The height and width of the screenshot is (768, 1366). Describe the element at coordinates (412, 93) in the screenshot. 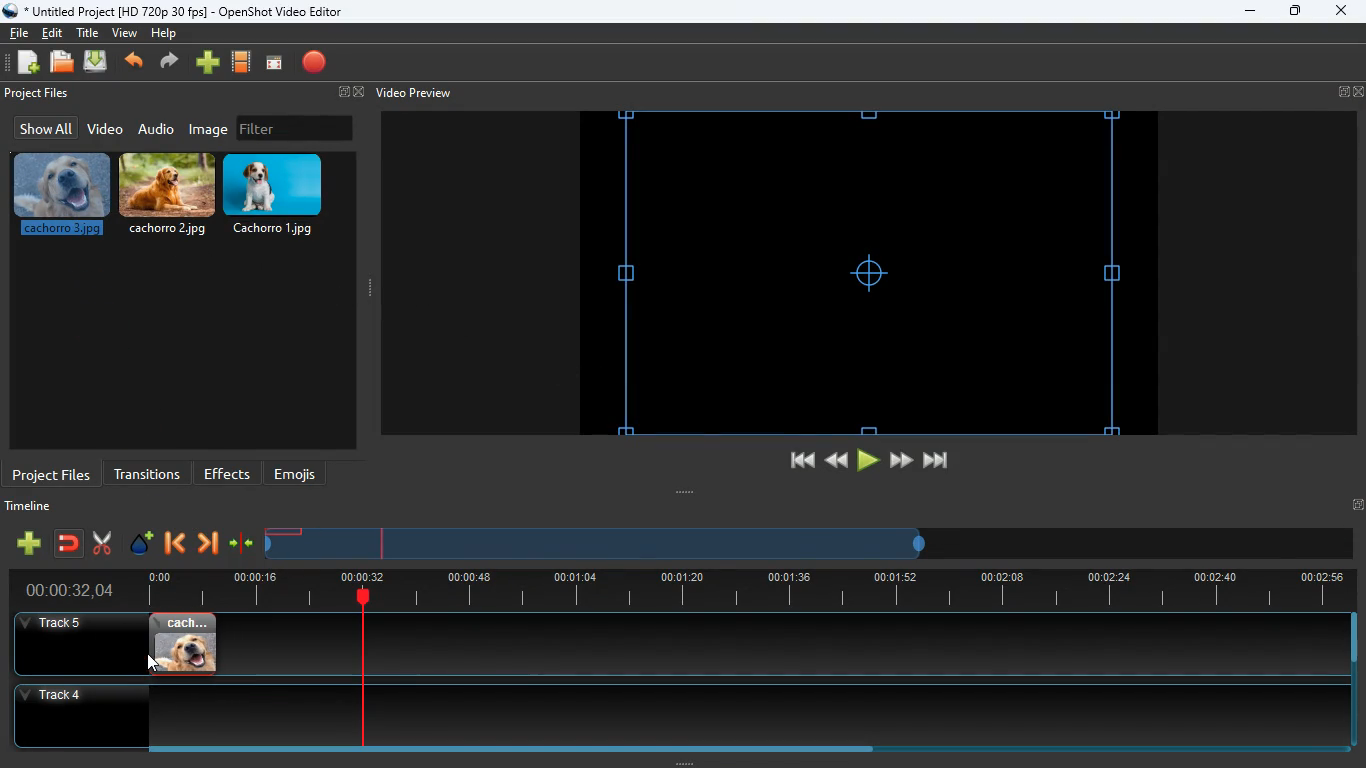

I see `video preview` at that location.